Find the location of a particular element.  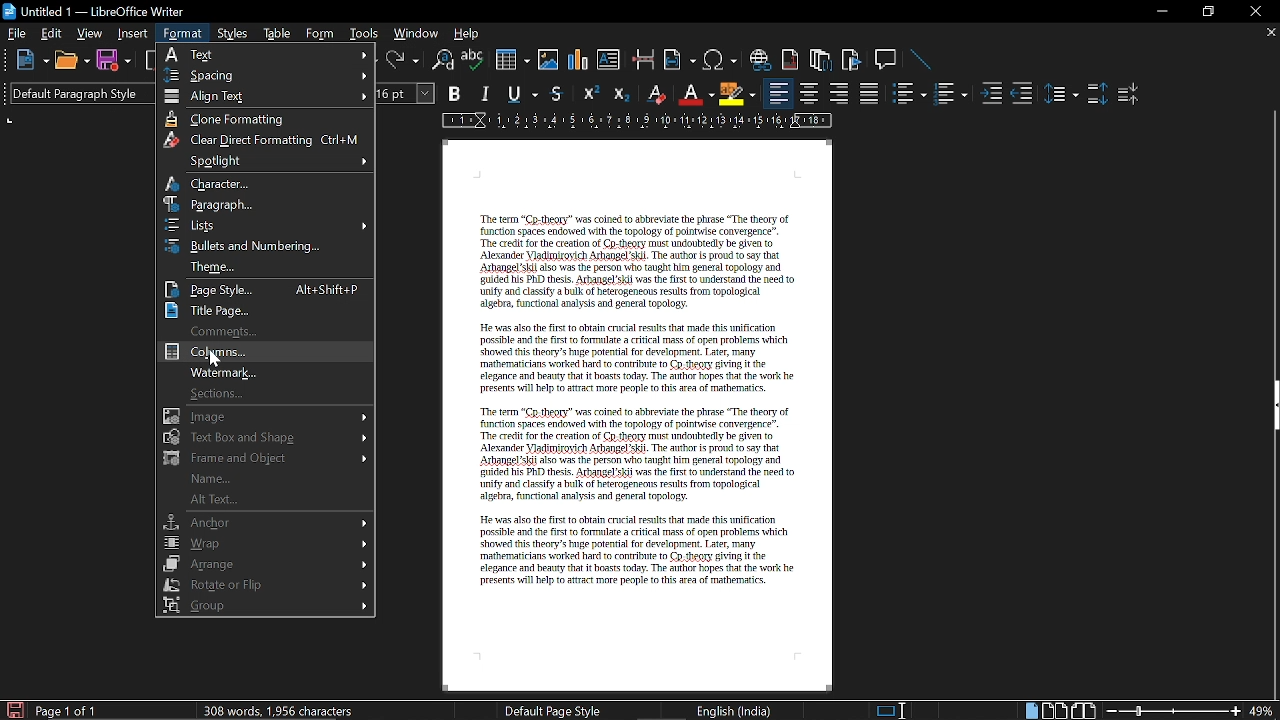

Align left is located at coordinates (778, 93).